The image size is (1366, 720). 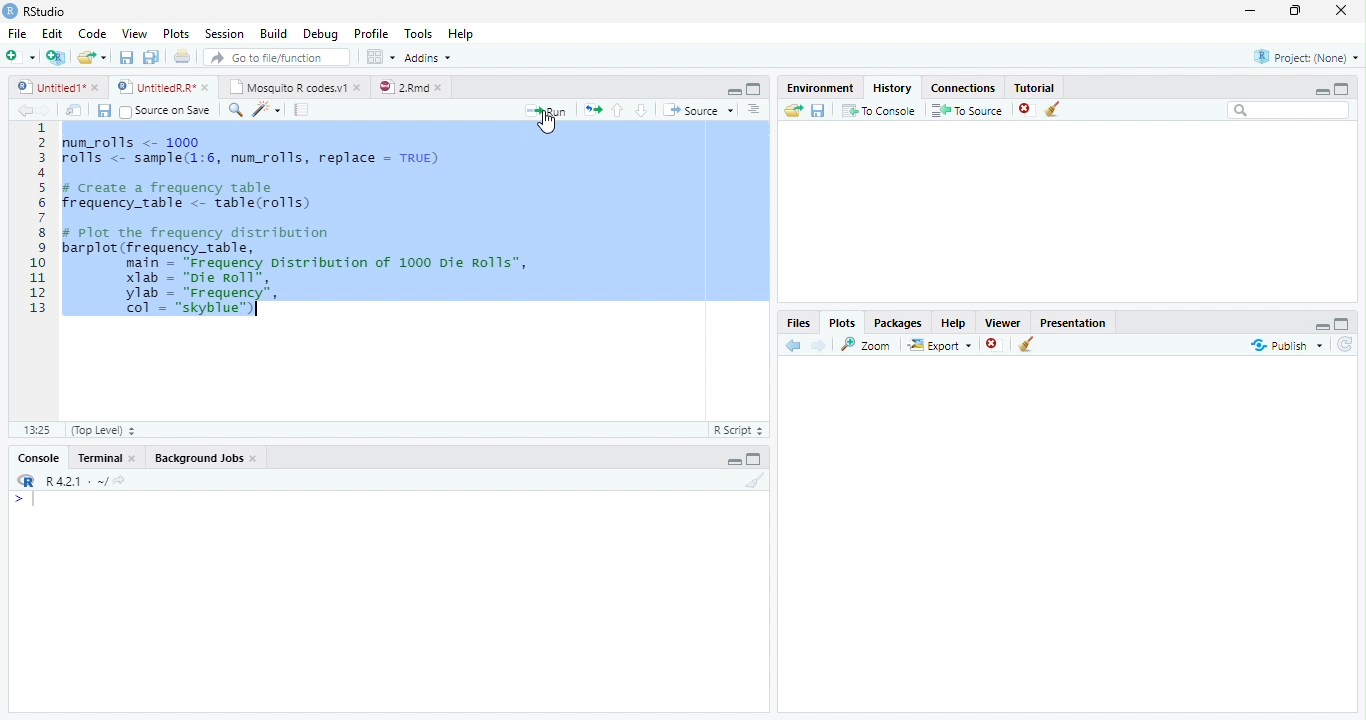 I want to click on Source, so click(x=698, y=111).